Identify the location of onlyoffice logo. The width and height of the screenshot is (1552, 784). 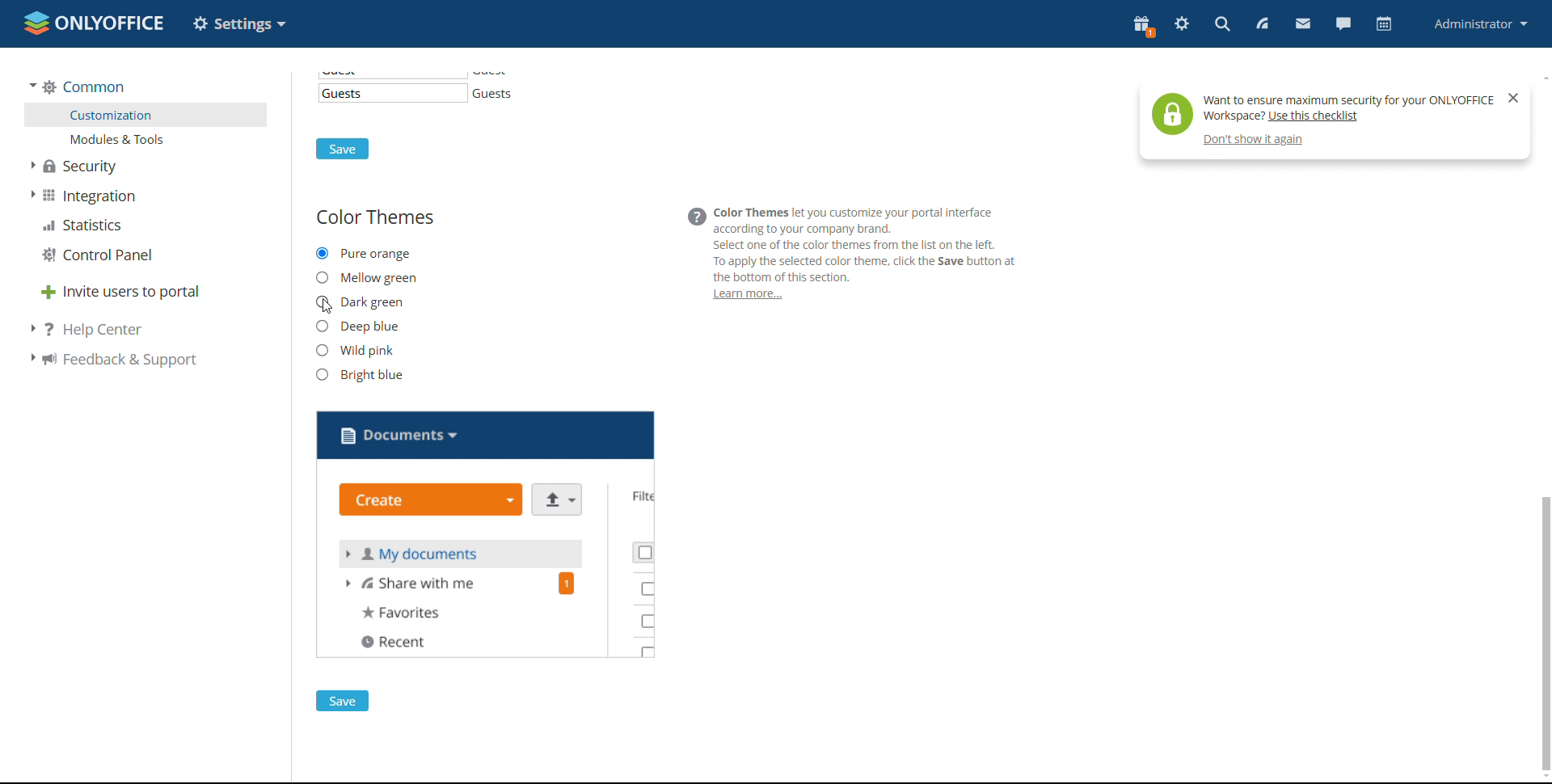
(36, 24).